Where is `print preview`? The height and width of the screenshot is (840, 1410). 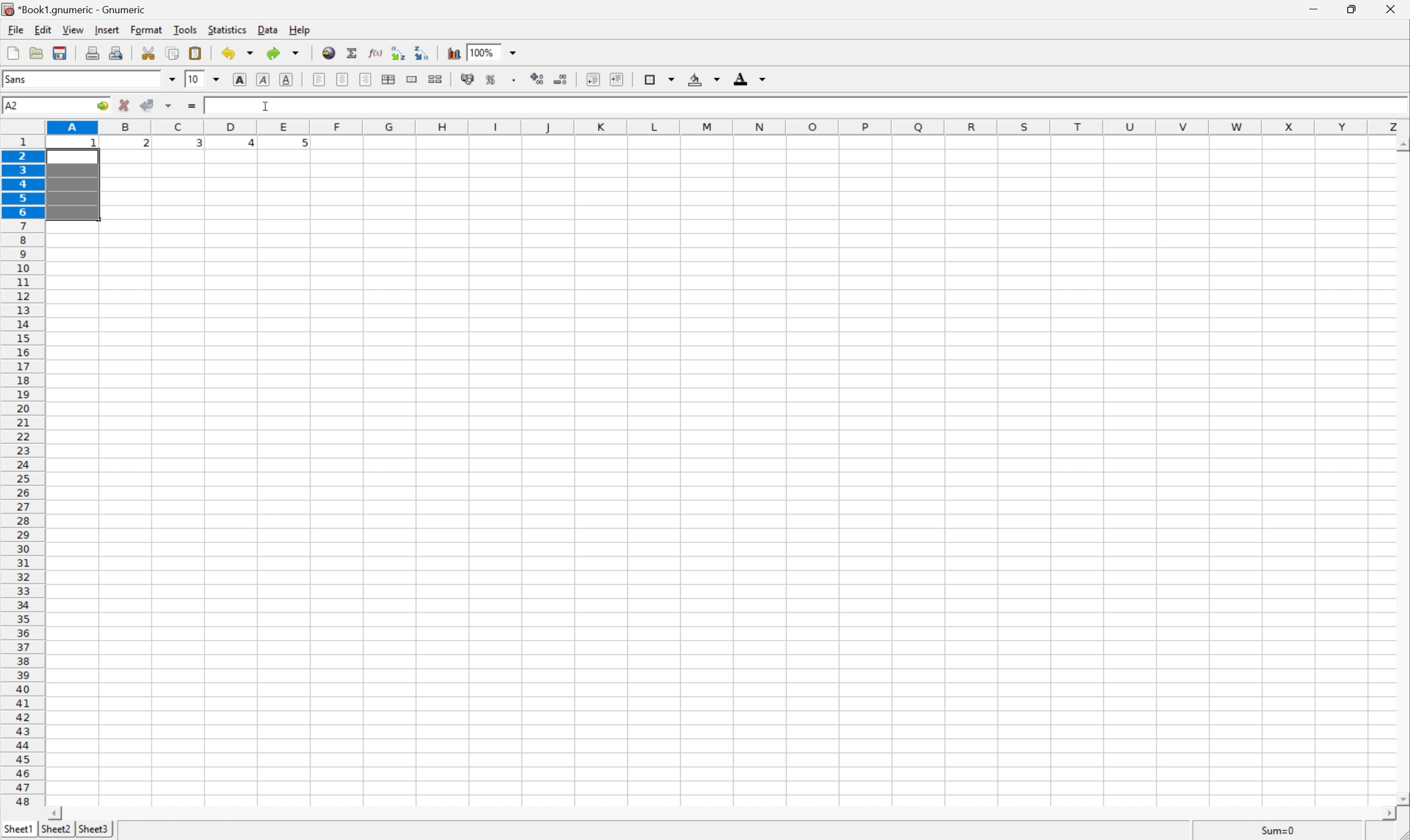
print preview is located at coordinates (117, 52).